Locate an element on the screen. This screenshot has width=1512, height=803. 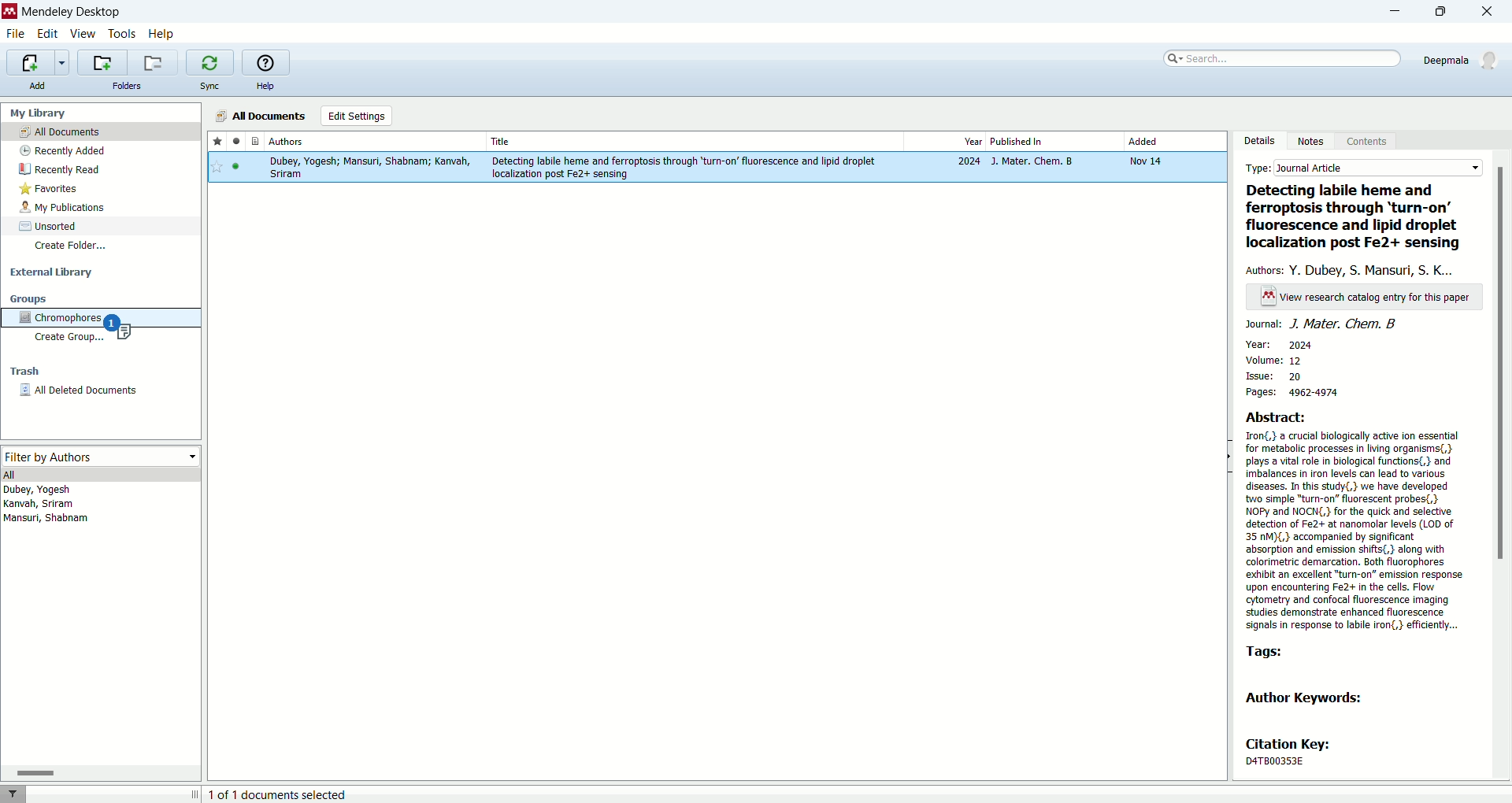
all is located at coordinates (102, 475).